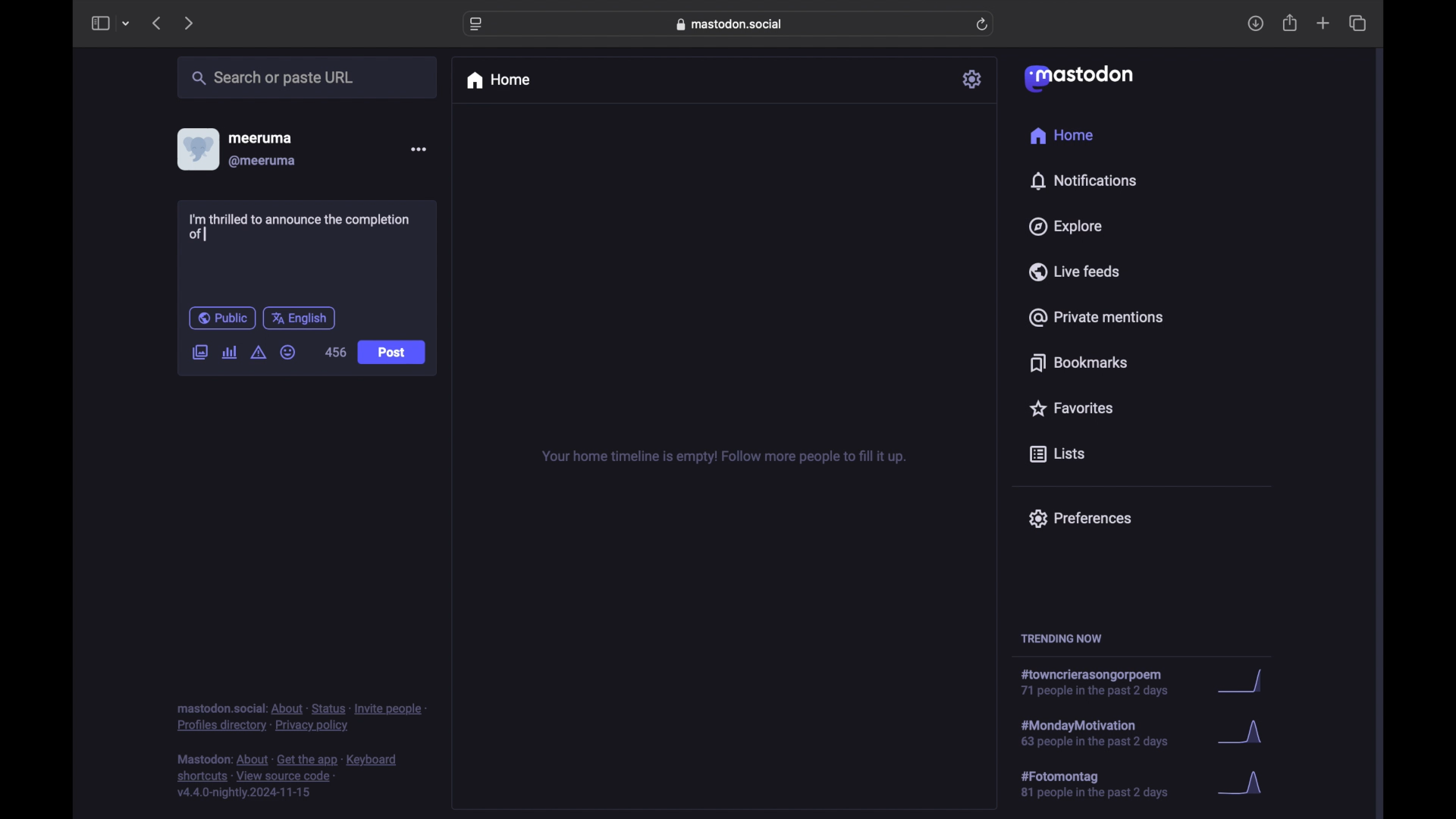 This screenshot has width=1456, height=819. I want to click on share or paste url, so click(273, 77).